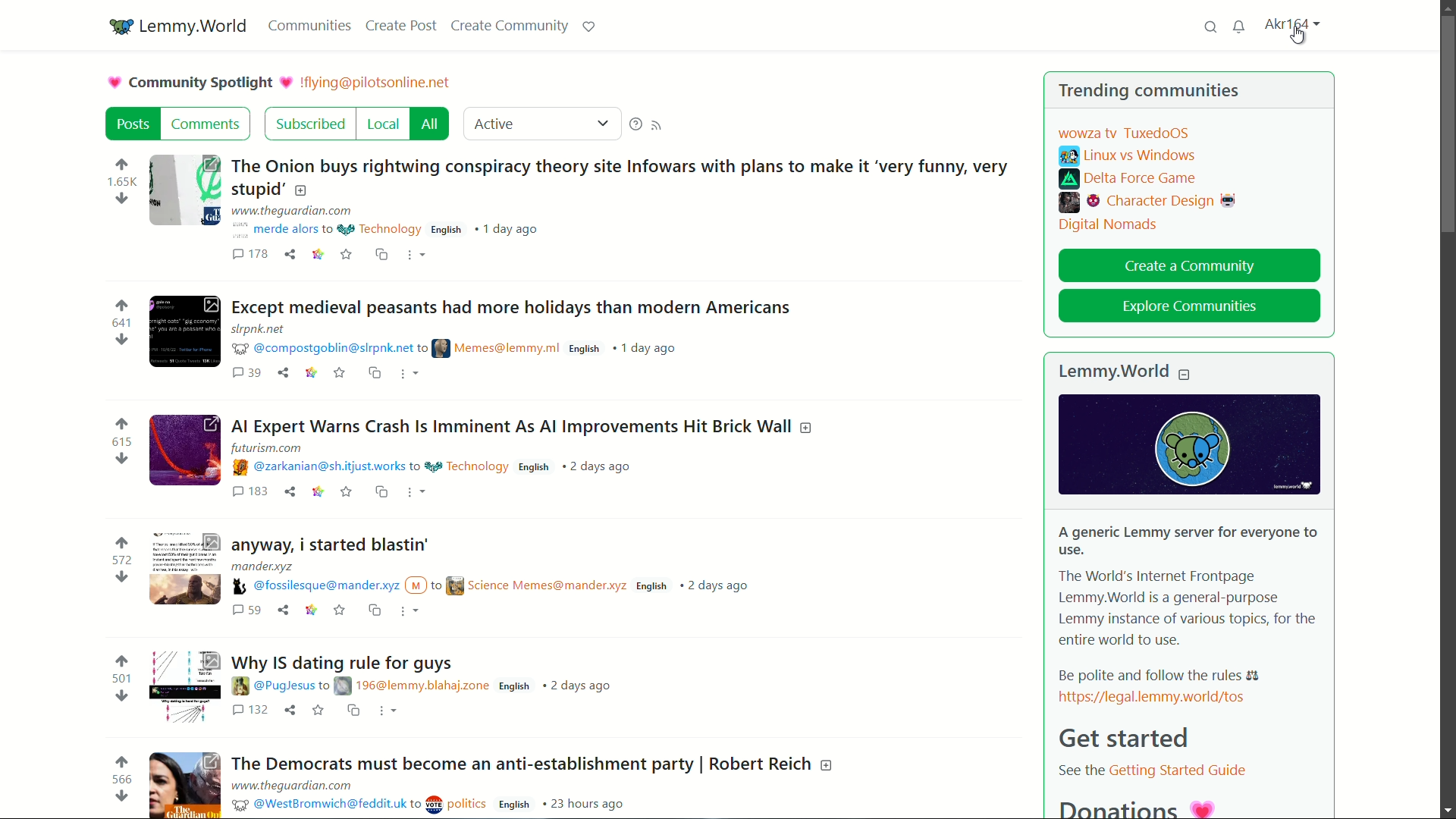  What do you see at coordinates (121, 797) in the screenshot?
I see `downvote` at bounding box center [121, 797].